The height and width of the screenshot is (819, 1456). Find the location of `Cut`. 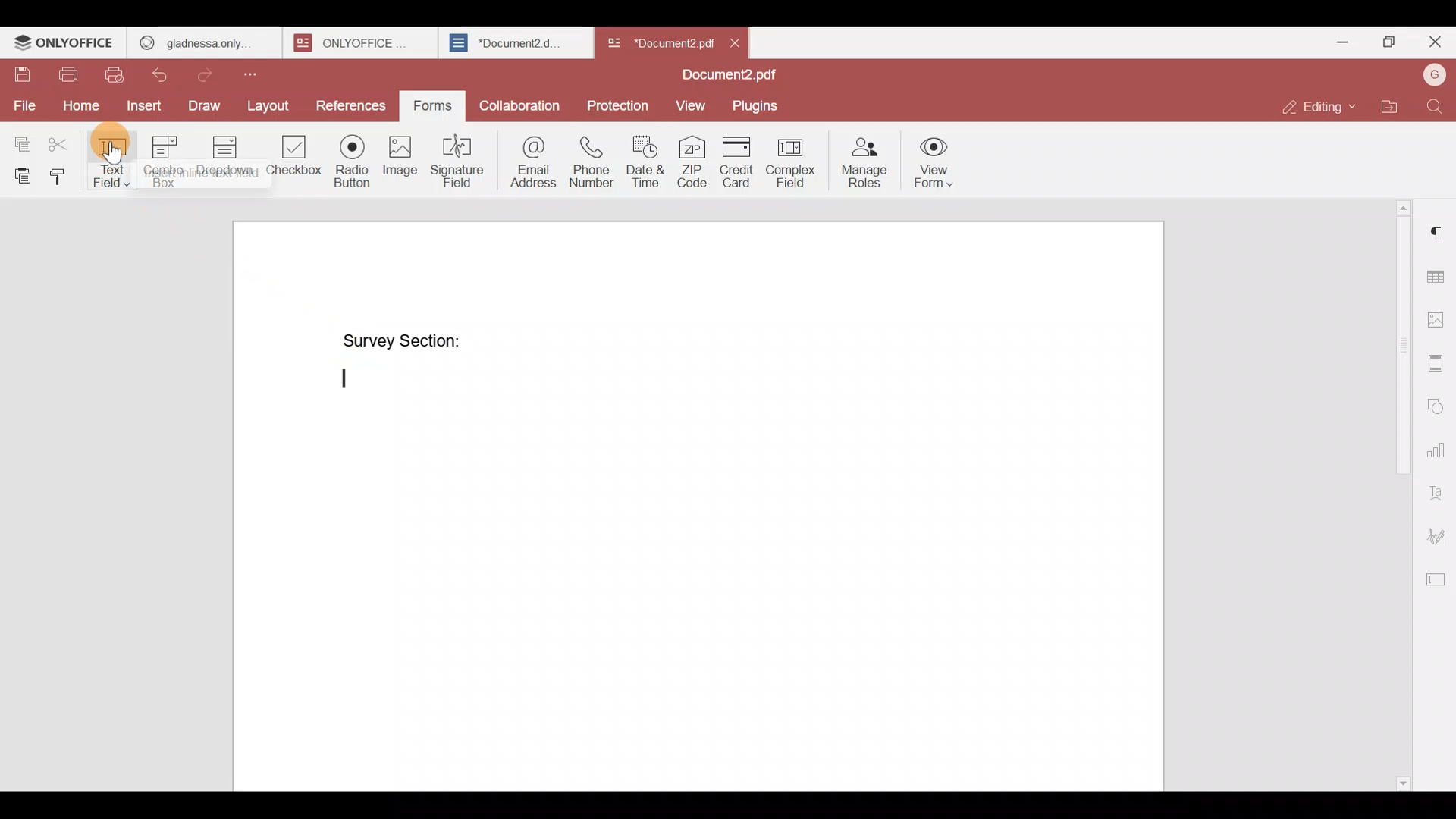

Cut is located at coordinates (64, 140).